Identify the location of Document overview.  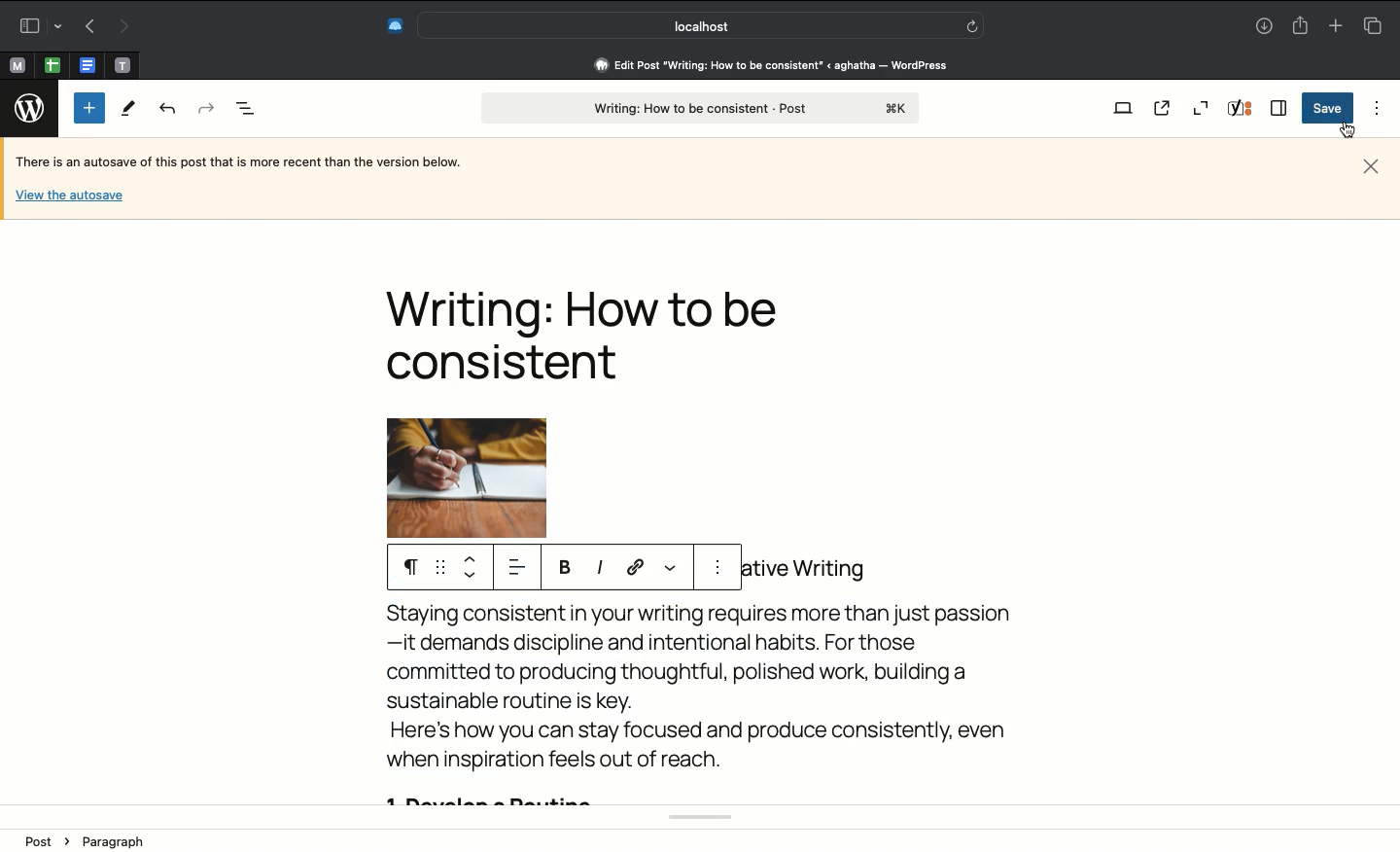
(246, 110).